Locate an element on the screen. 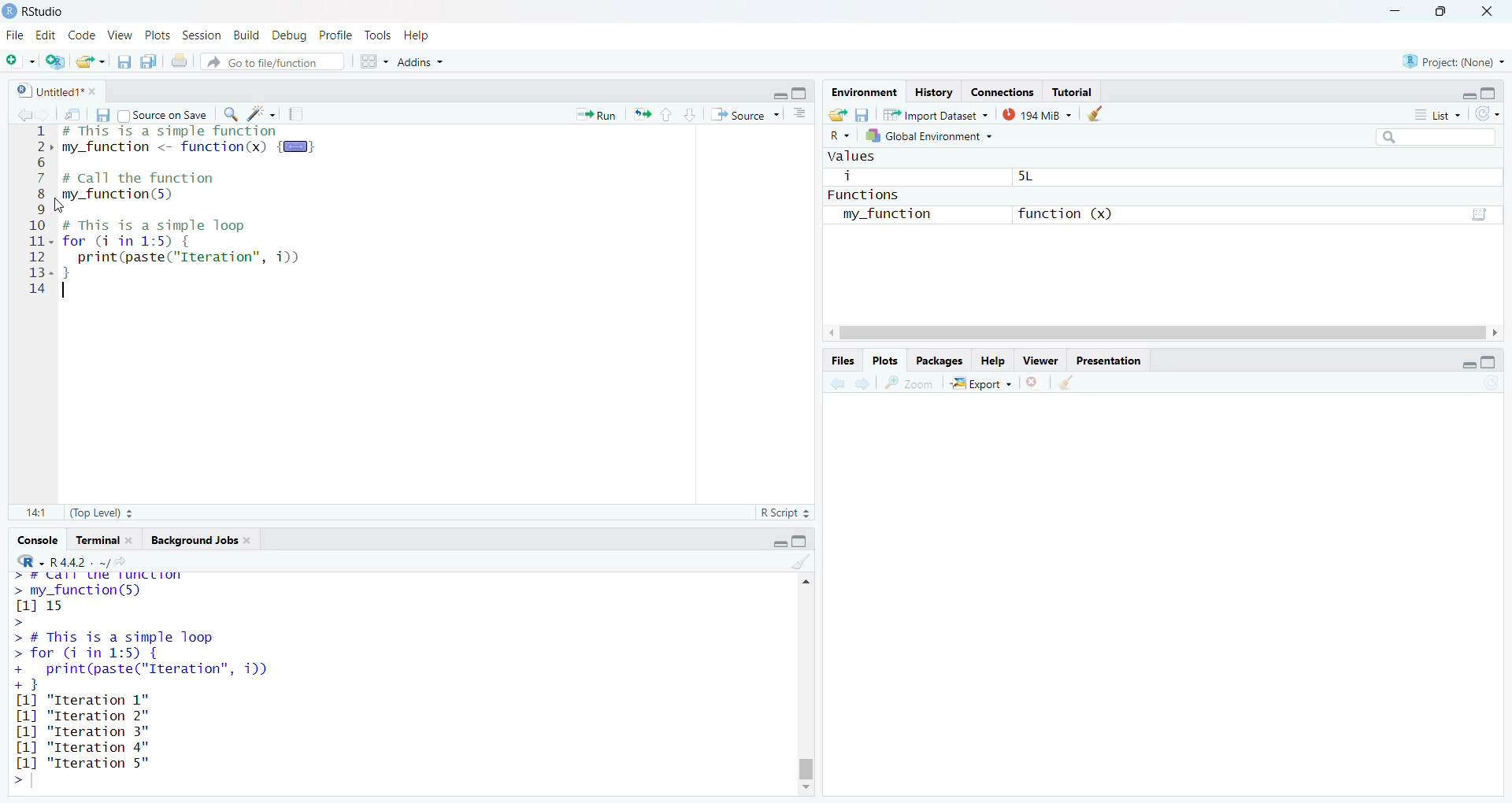 The image size is (1512, 803). File is located at coordinates (15, 35).